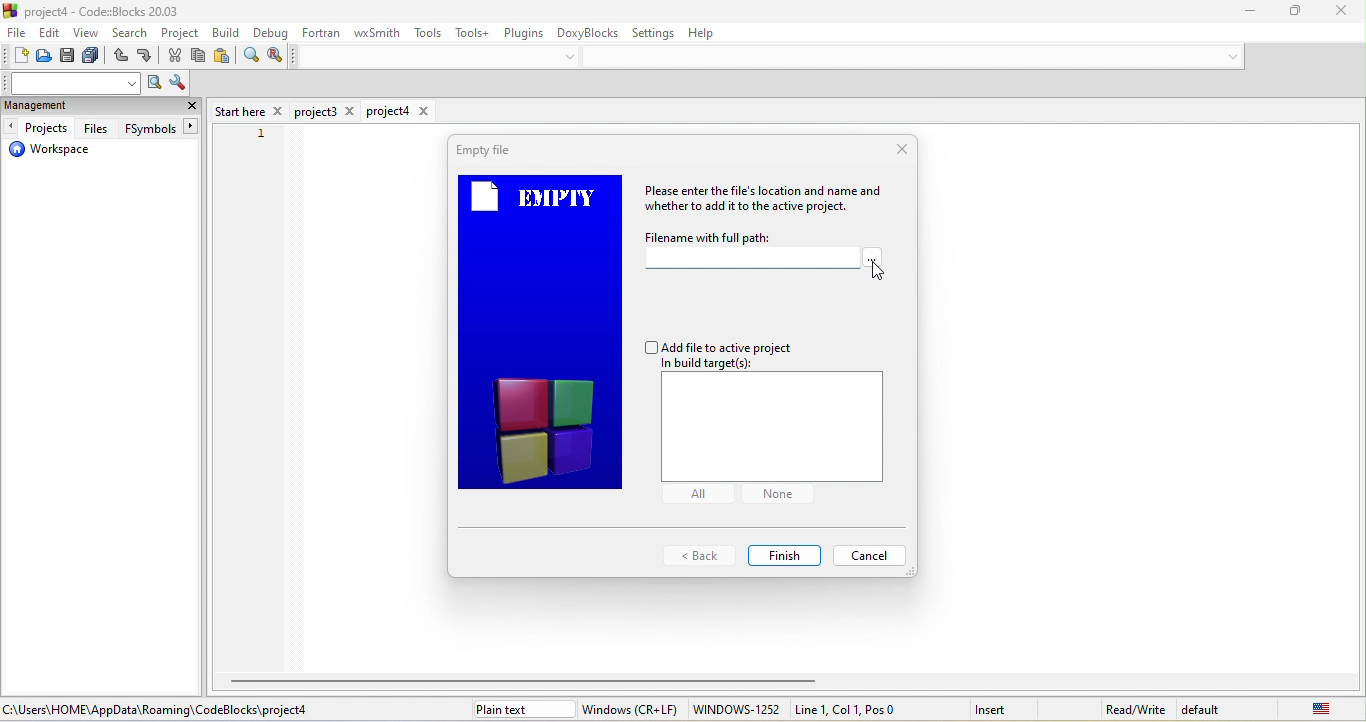  Describe the element at coordinates (51, 34) in the screenshot. I see `edit` at that location.